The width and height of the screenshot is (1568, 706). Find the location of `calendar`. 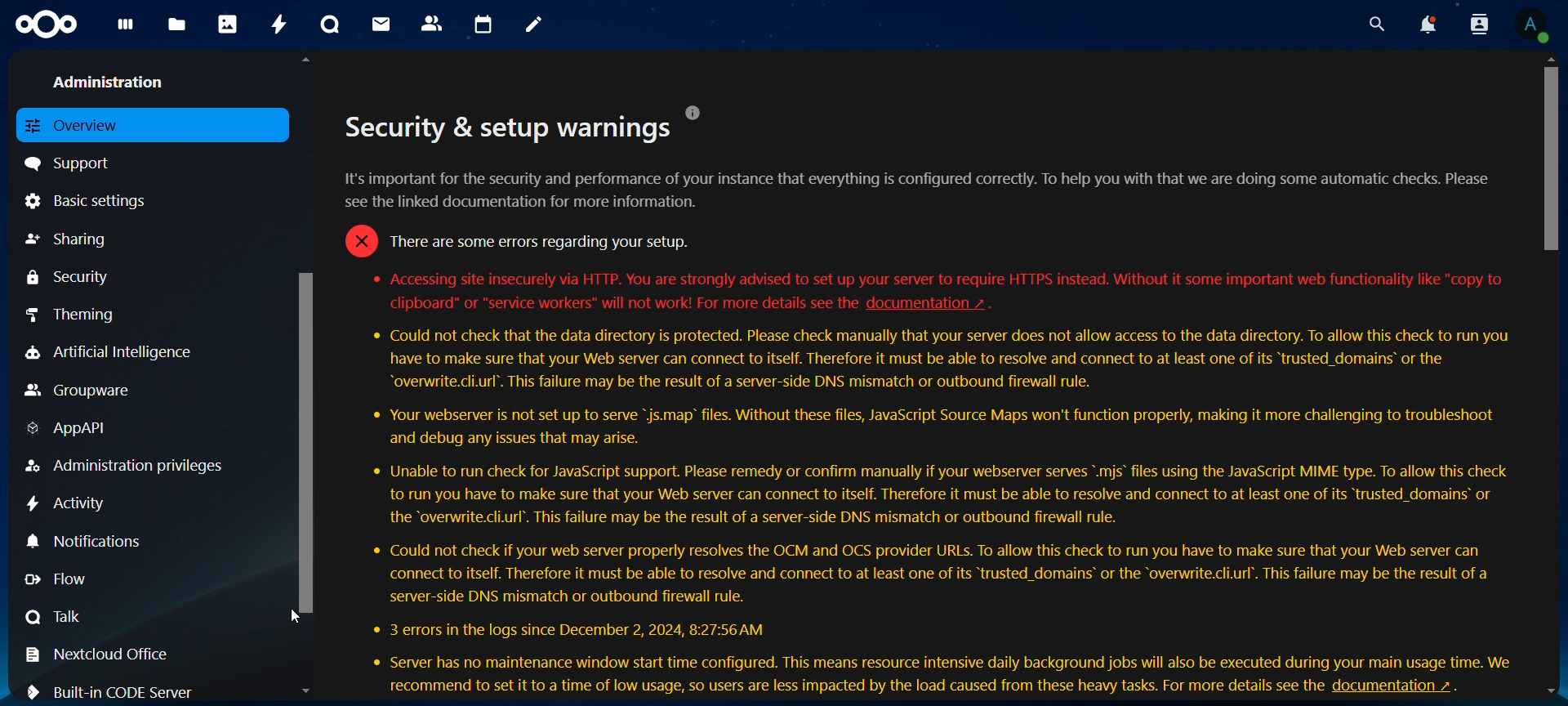

calendar is located at coordinates (484, 25).